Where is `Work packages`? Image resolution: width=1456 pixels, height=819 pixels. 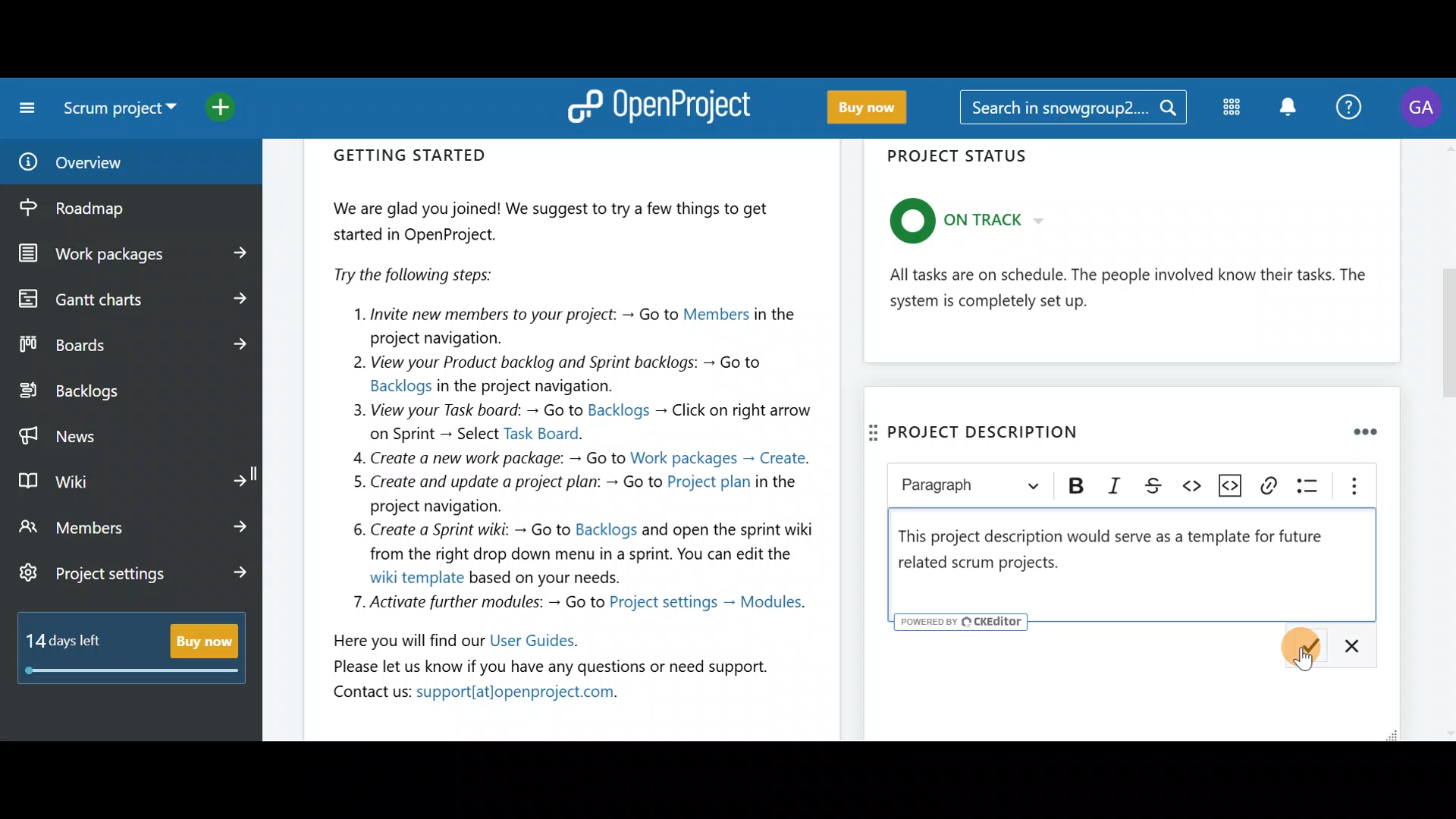
Work packages is located at coordinates (133, 254).